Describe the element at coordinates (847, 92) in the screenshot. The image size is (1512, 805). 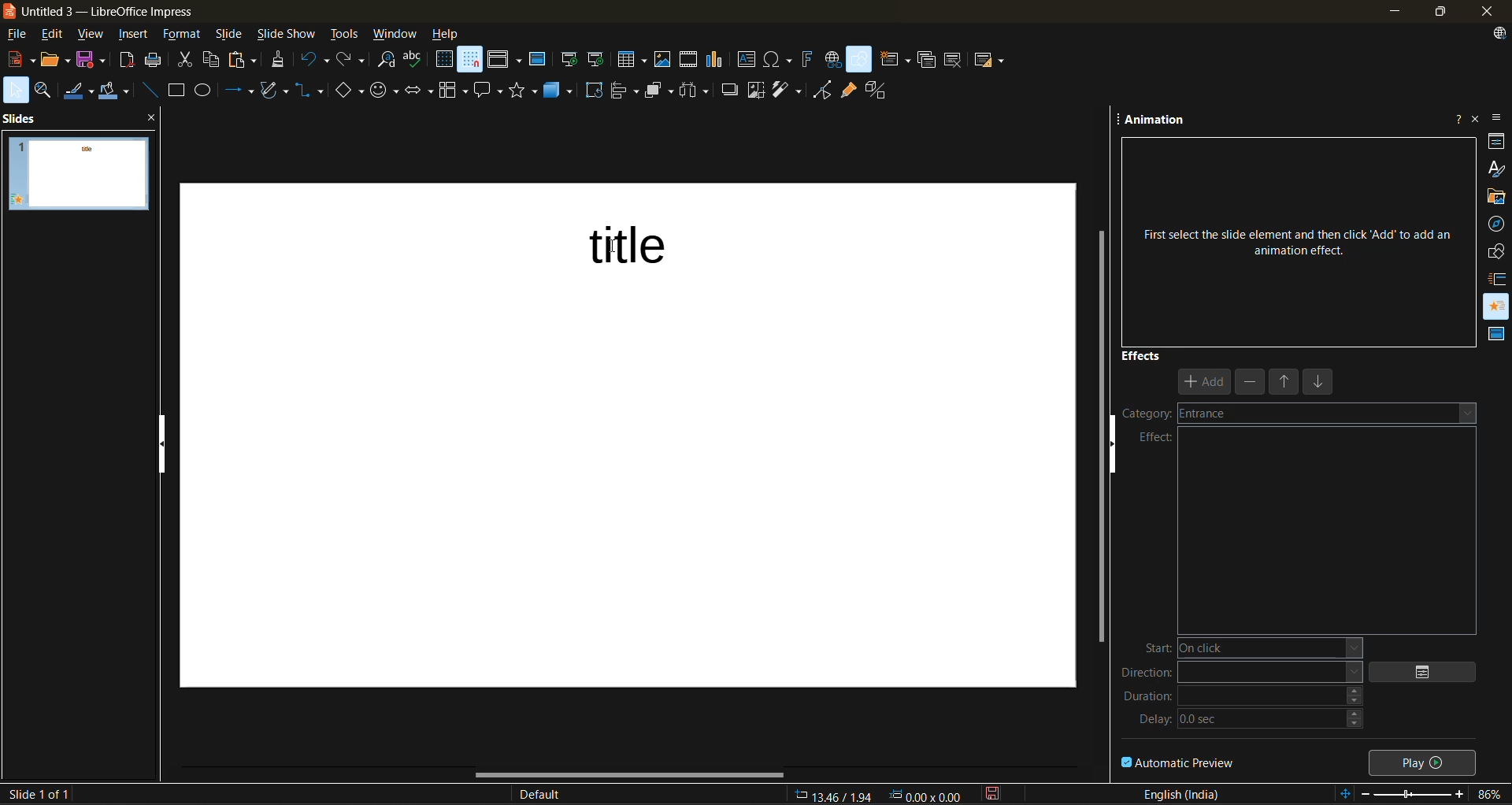
I see `show gluepoint functions` at that location.